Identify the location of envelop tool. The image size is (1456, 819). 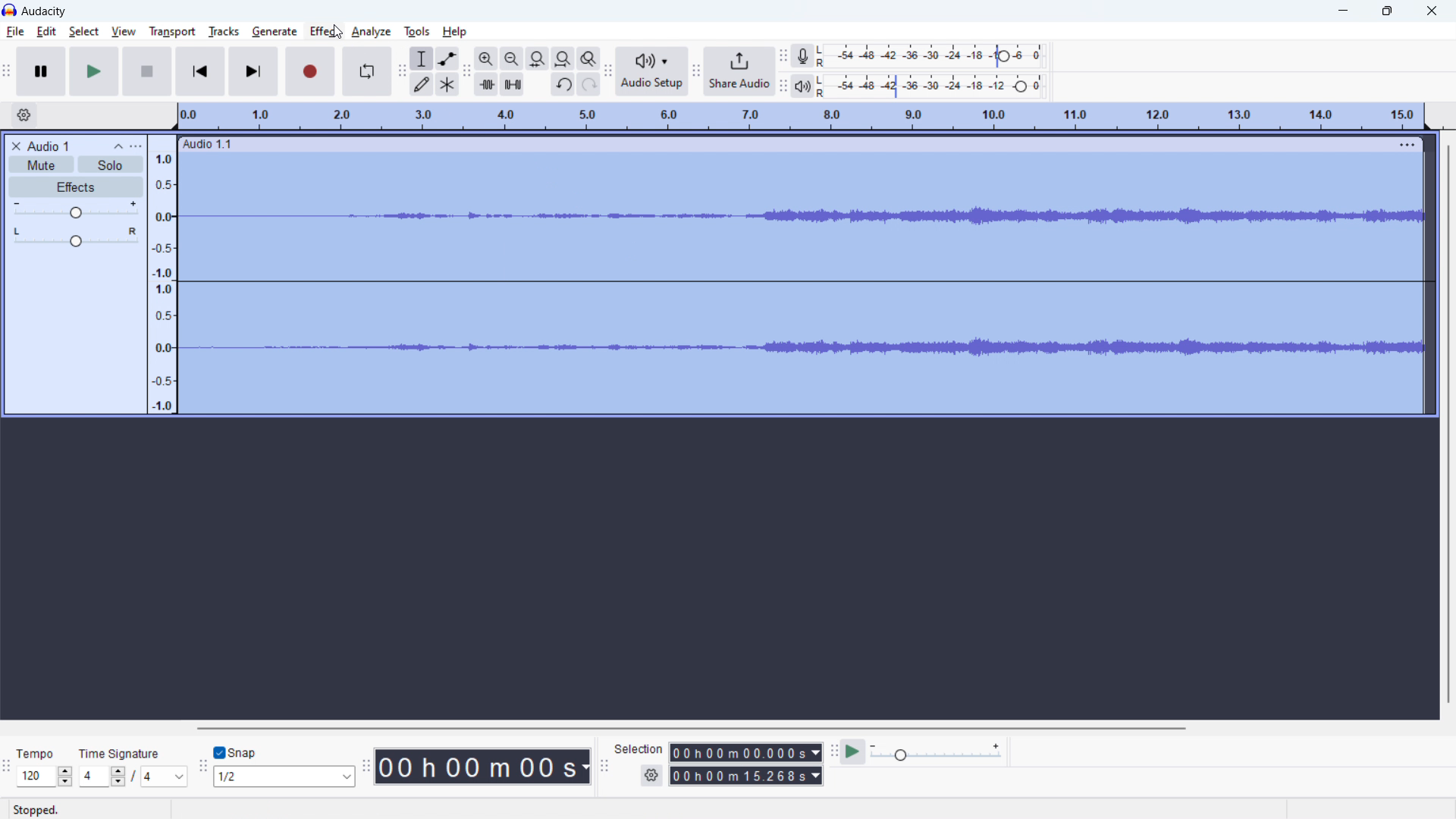
(447, 58).